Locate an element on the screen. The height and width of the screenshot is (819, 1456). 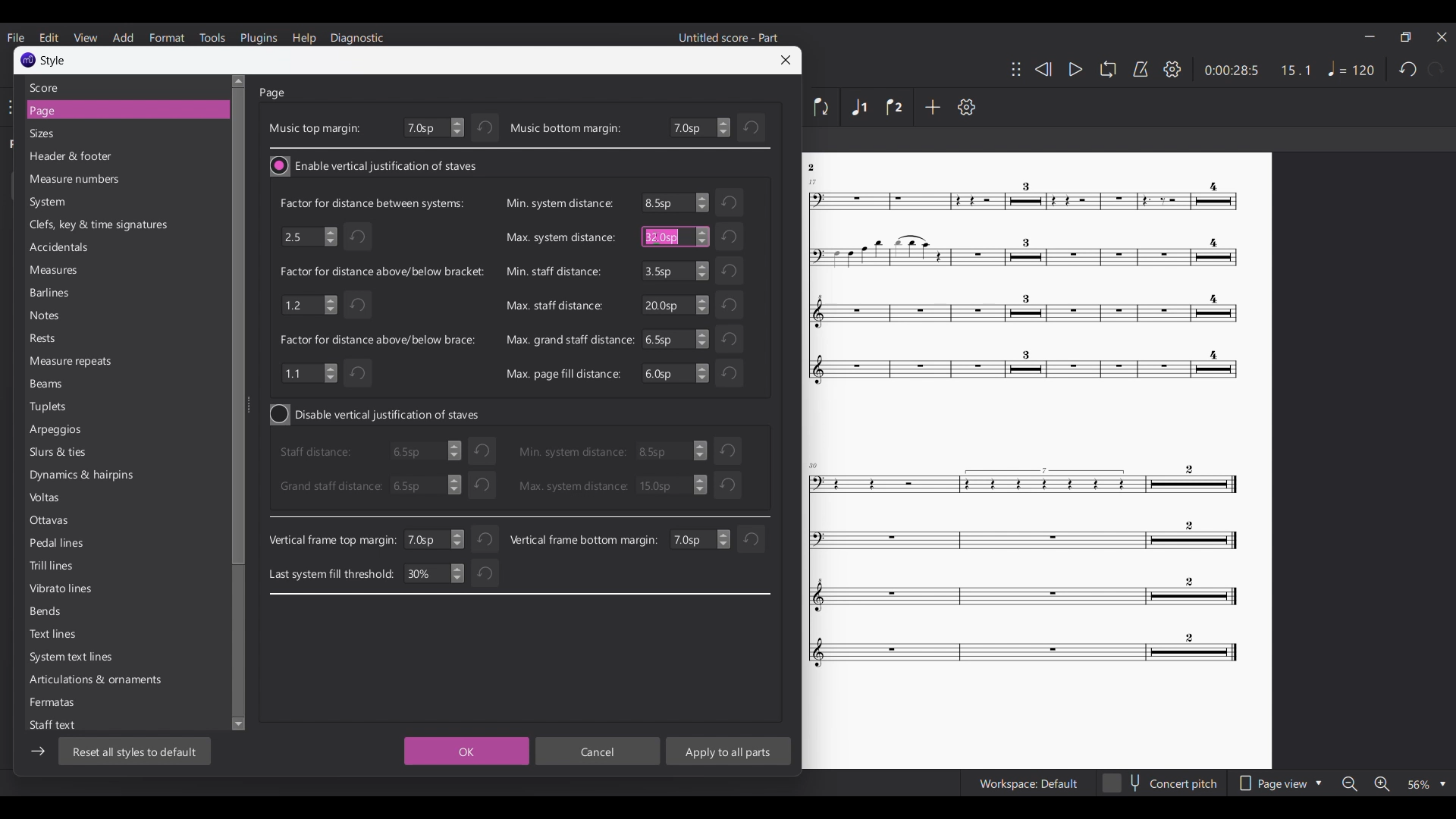
Toggle for vertical justification is located at coordinates (377, 415).